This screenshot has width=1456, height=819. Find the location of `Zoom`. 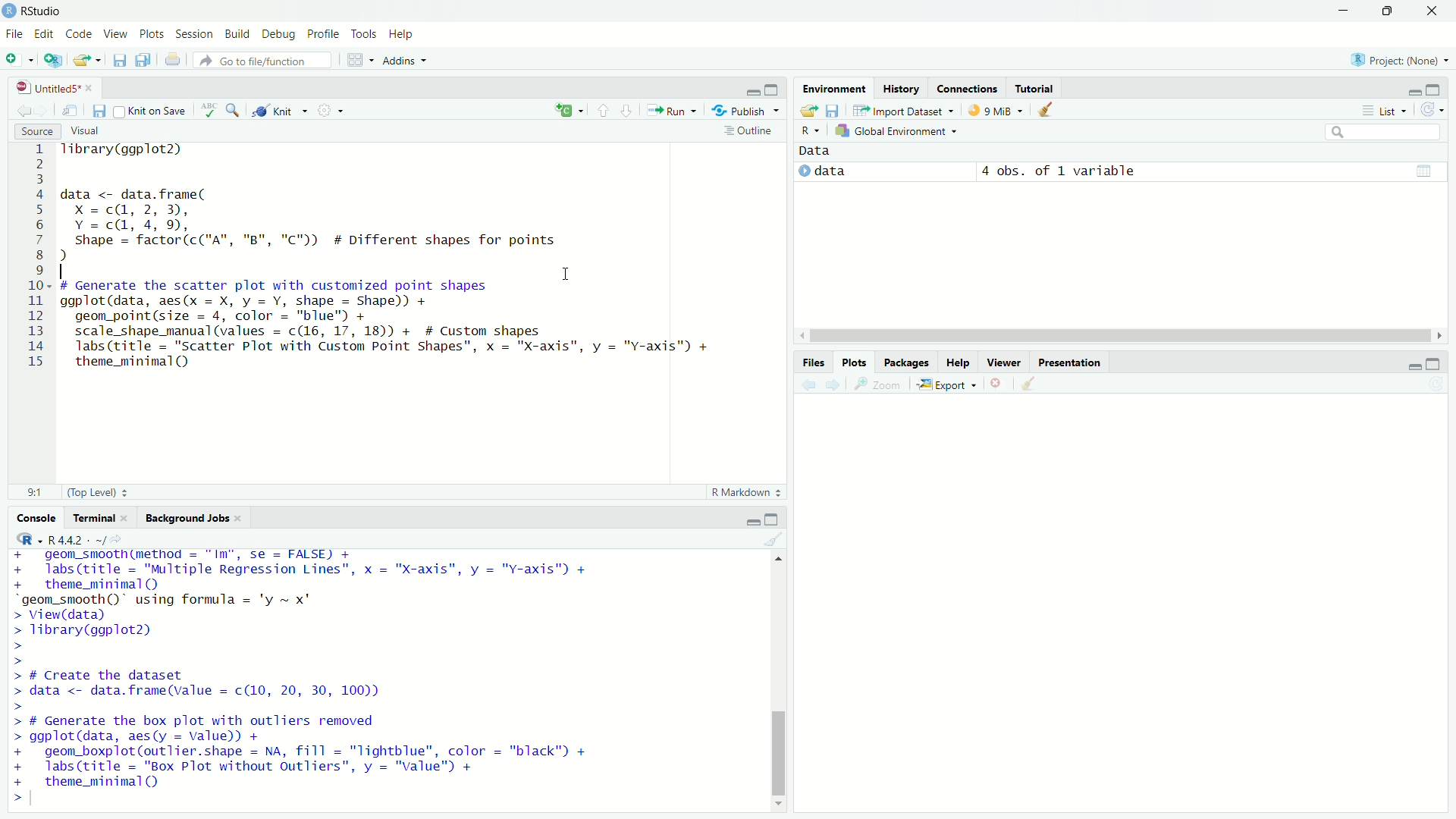

Zoom is located at coordinates (877, 384).